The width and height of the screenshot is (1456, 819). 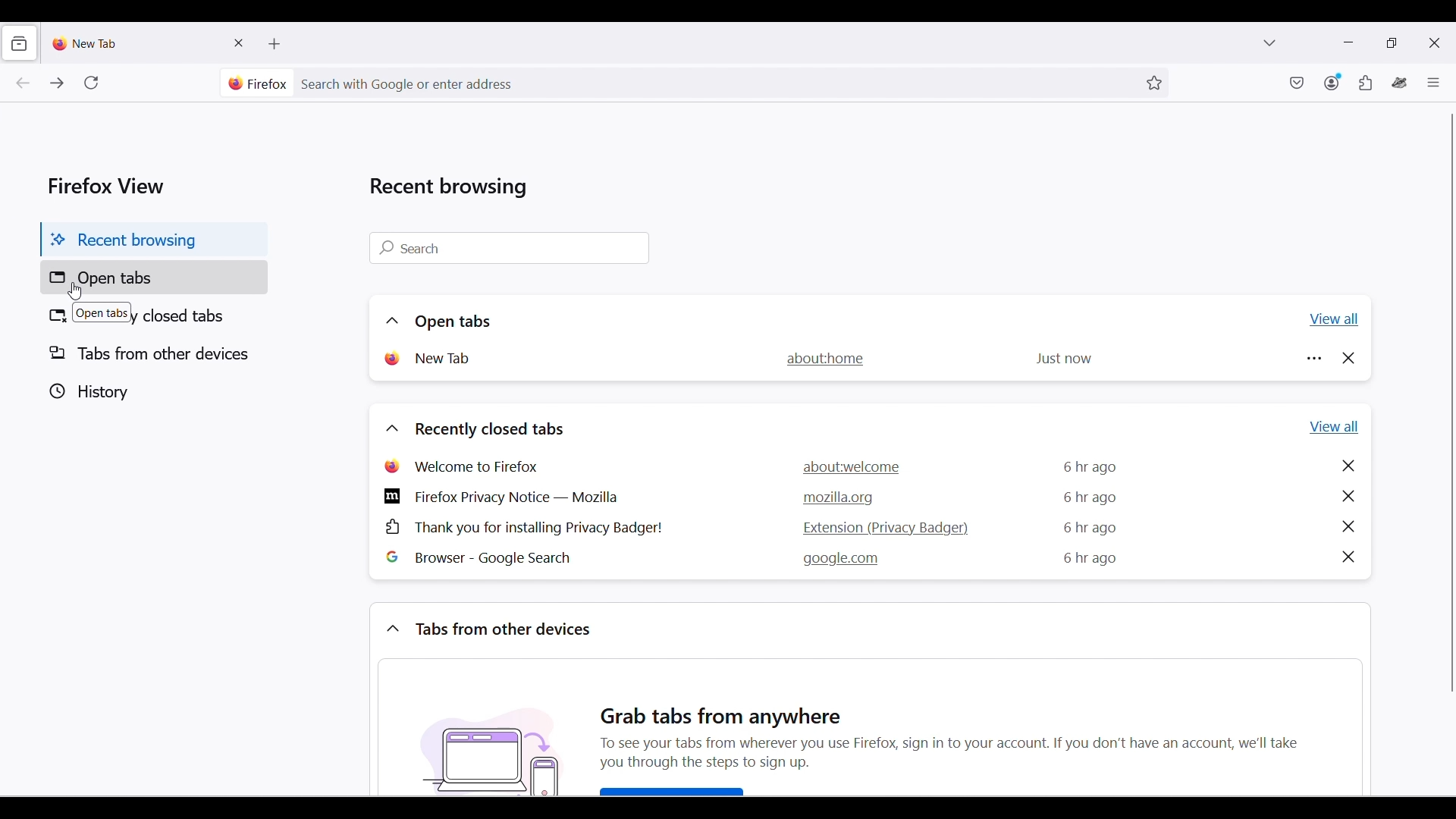 What do you see at coordinates (882, 527) in the screenshot?
I see `Extension (Privacy Badger)` at bounding box center [882, 527].